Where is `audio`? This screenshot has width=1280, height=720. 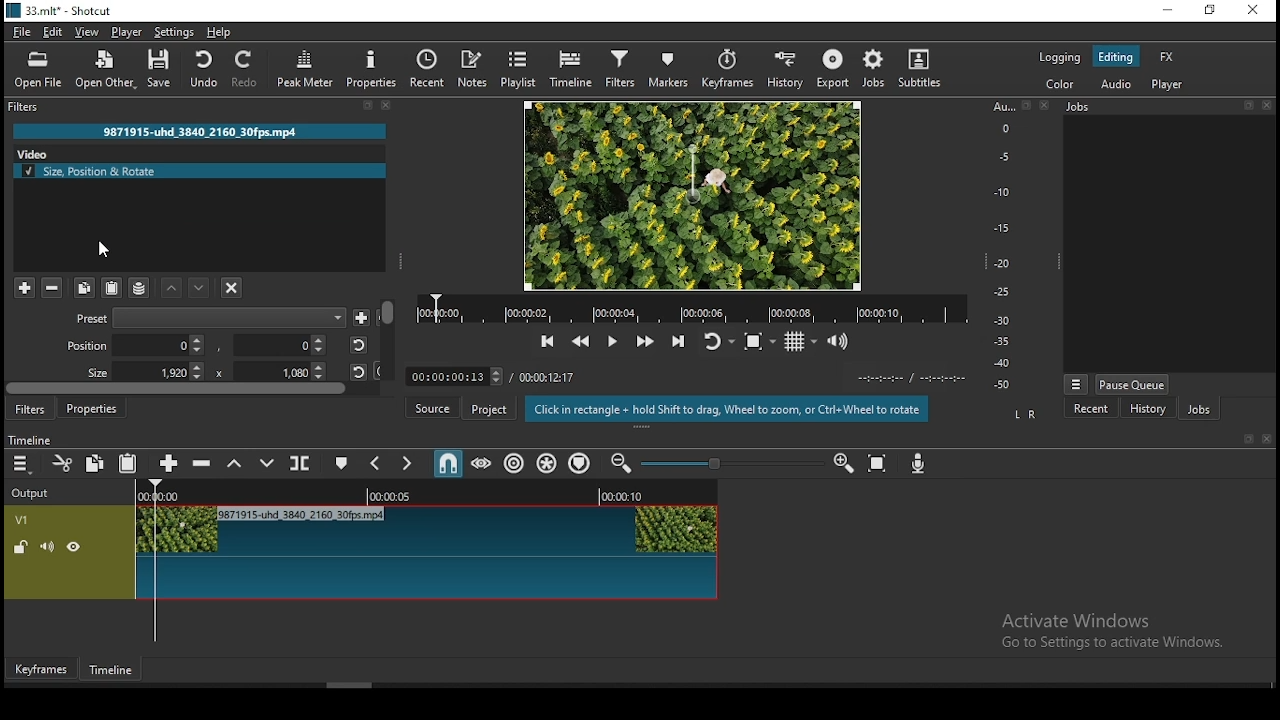 audio is located at coordinates (1119, 85).